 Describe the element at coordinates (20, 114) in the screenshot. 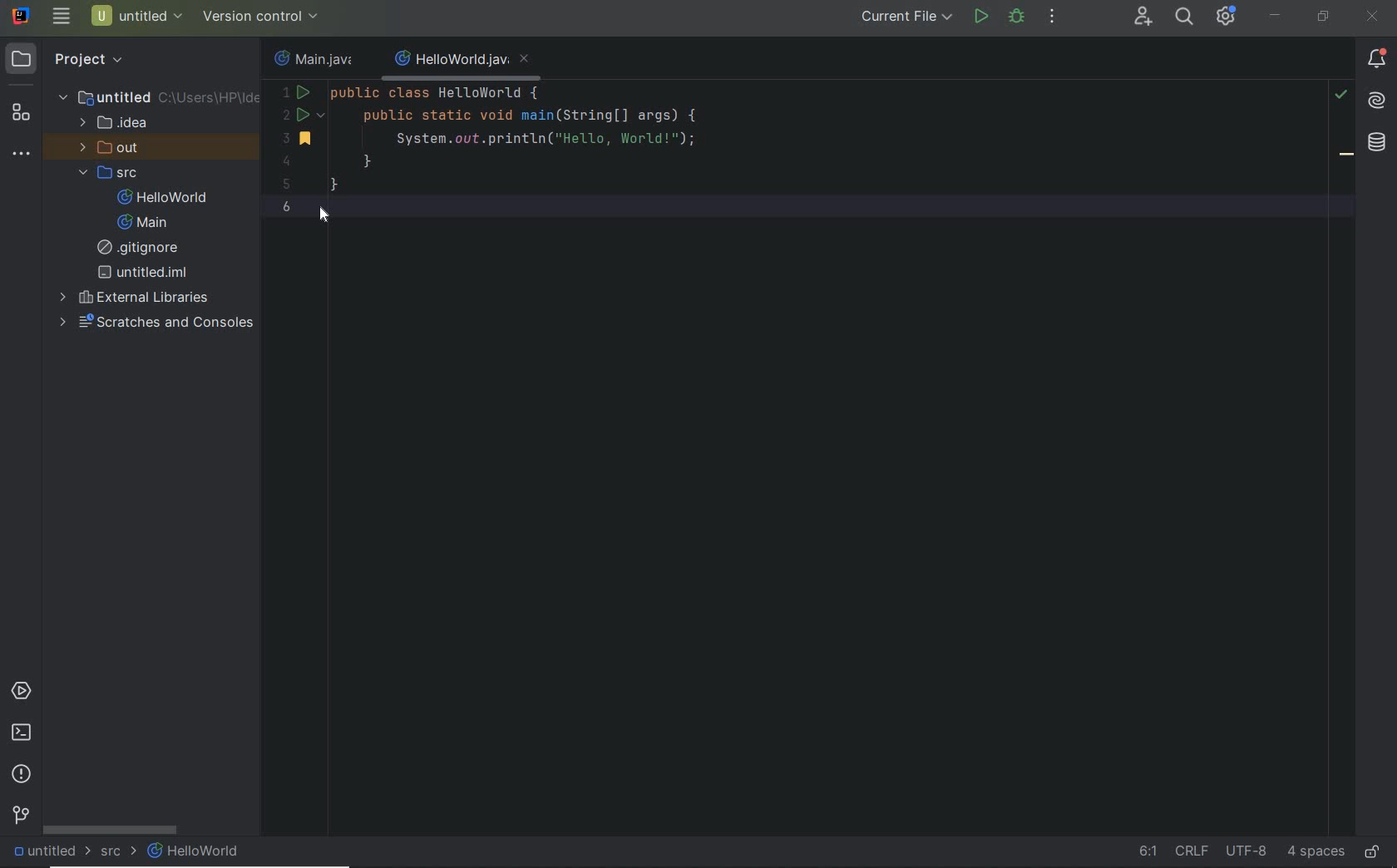

I see `structure` at that location.